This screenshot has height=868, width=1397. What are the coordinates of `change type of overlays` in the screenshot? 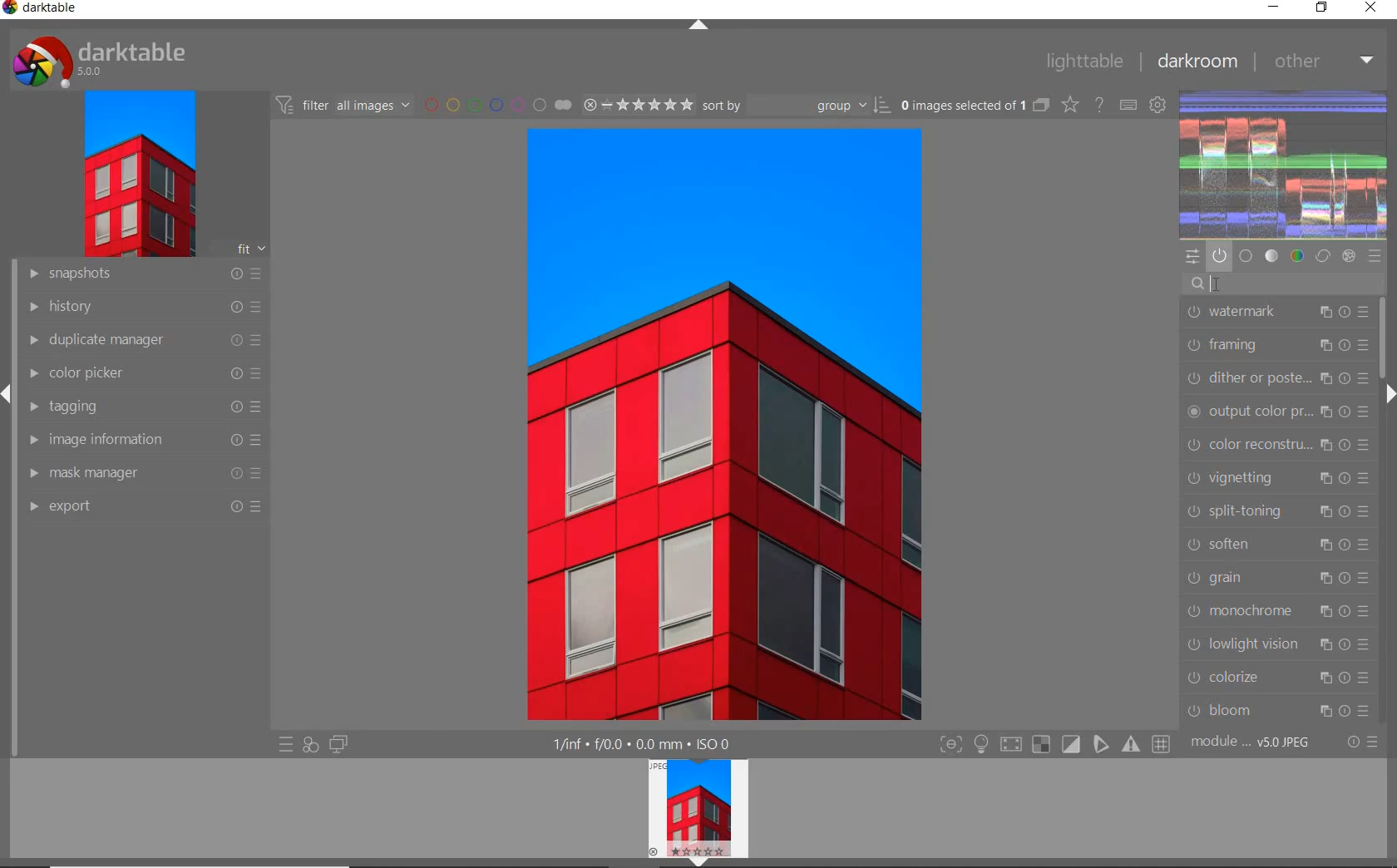 It's located at (1072, 106).